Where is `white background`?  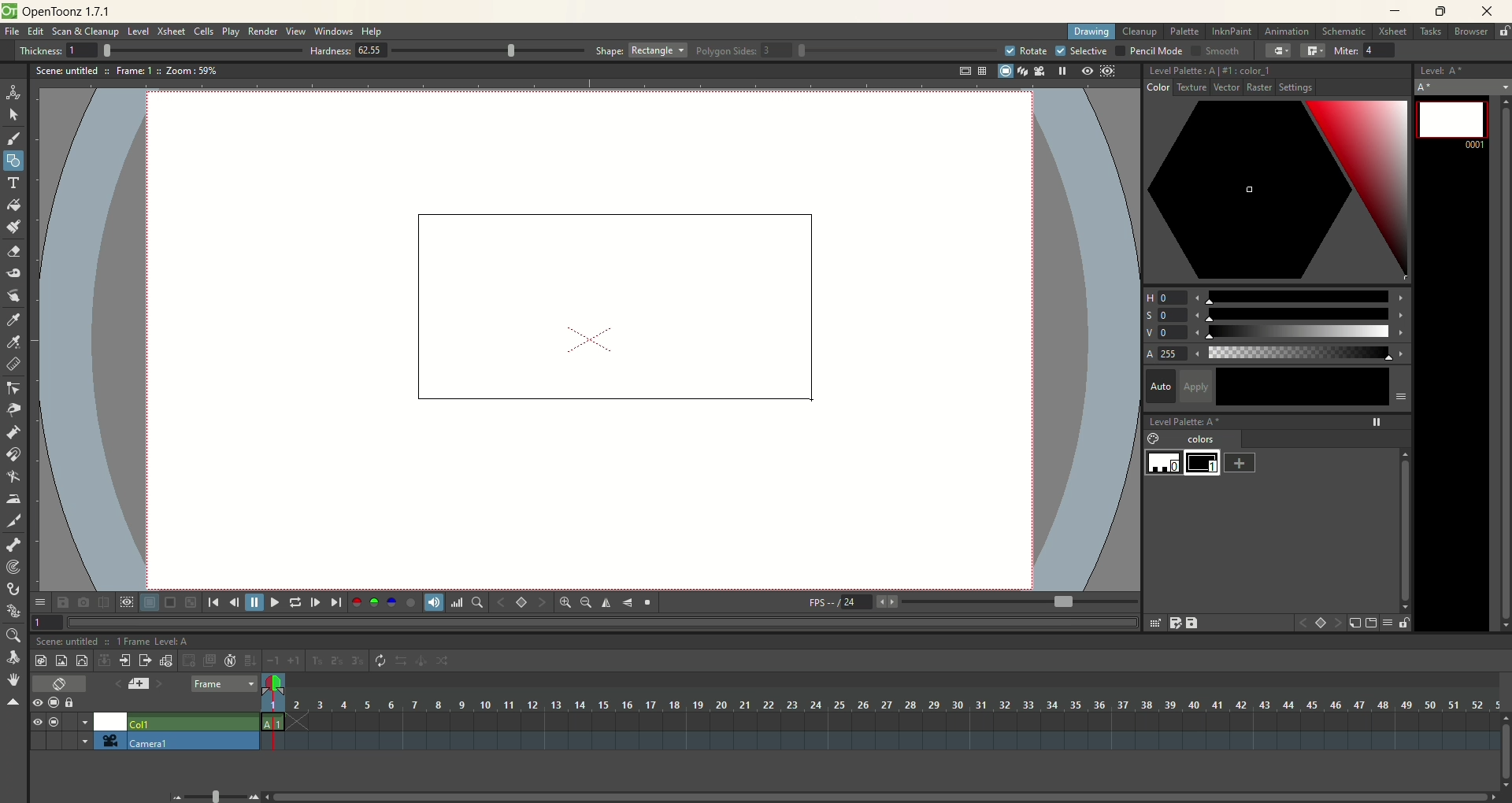 white background is located at coordinates (149, 603).